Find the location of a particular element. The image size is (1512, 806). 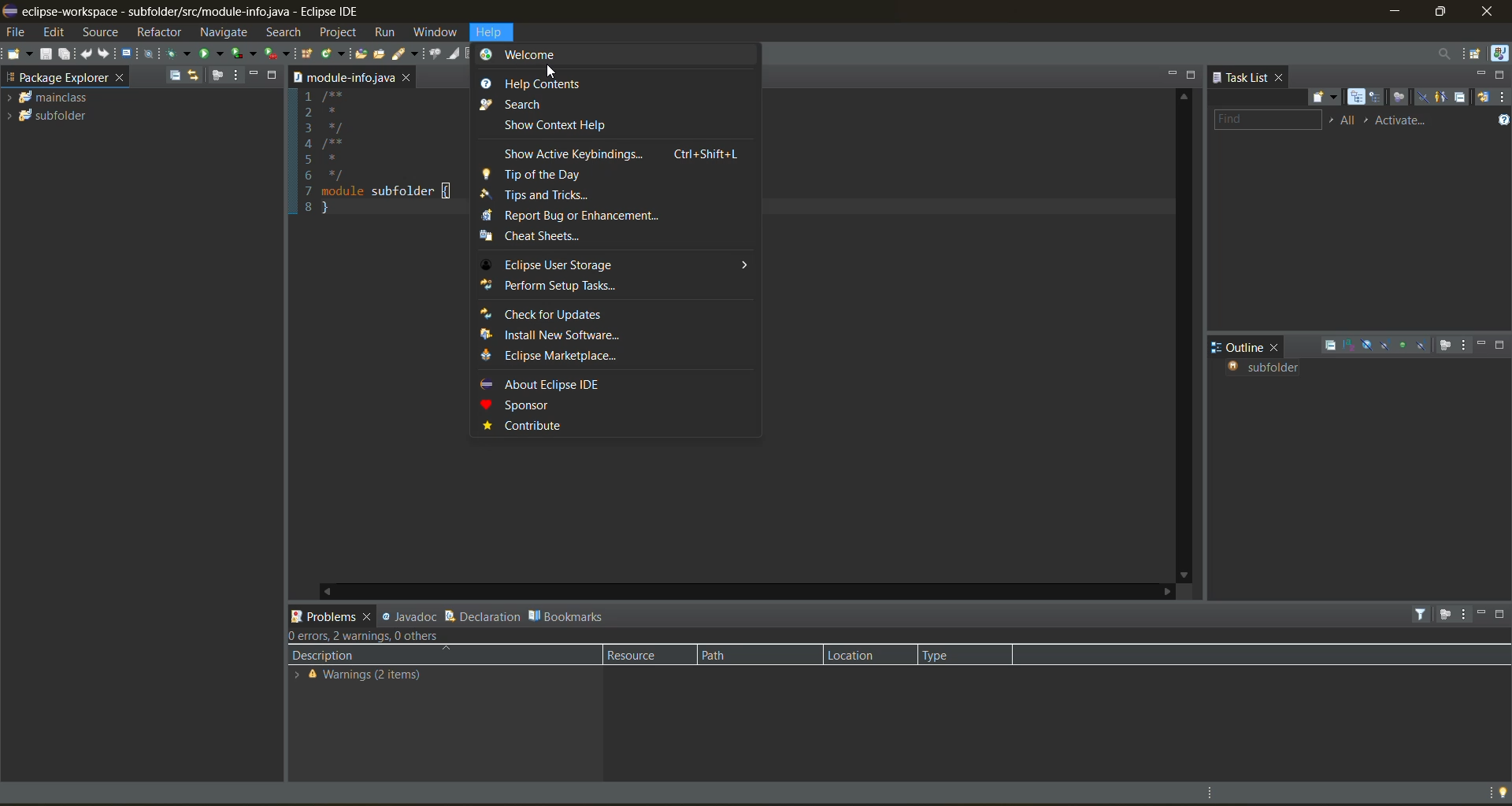

run is located at coordinates (382, 32).